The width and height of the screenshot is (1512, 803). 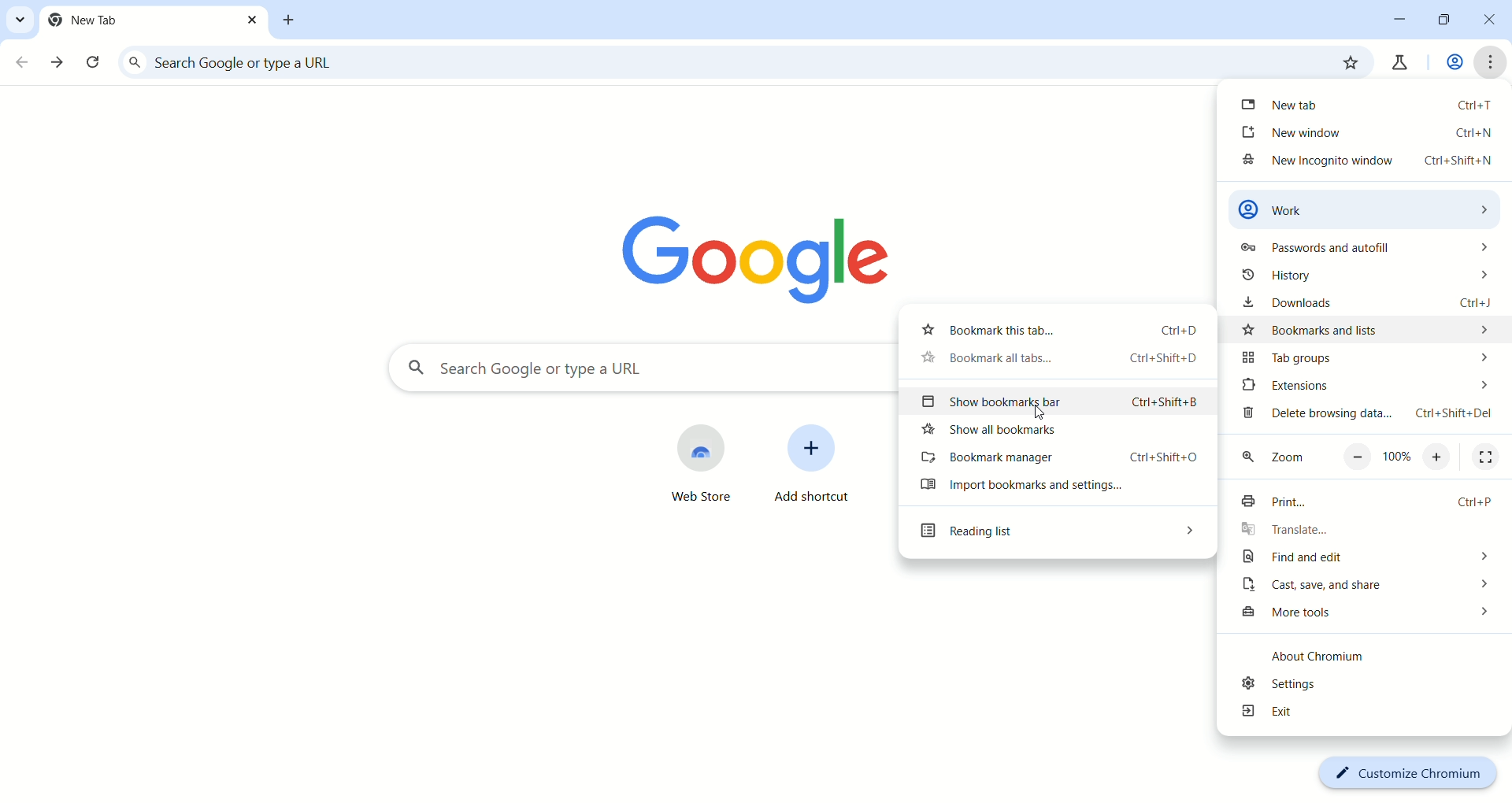 I want to click on search, so click(x=714, y=64).